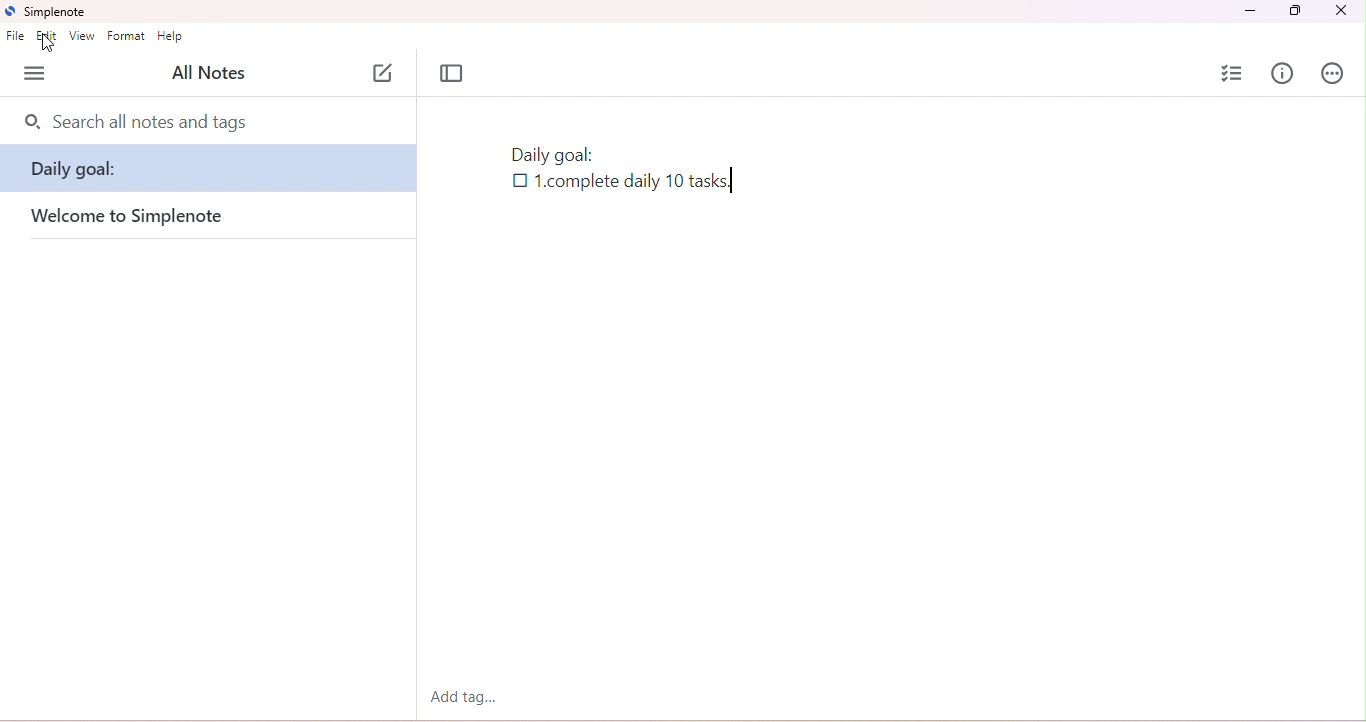 The height and width of the screenshot is (722, 1366). What do you see at coordinates (209, 71) in the screenshot?
I see `all notes` at bounding box center [209, 71].